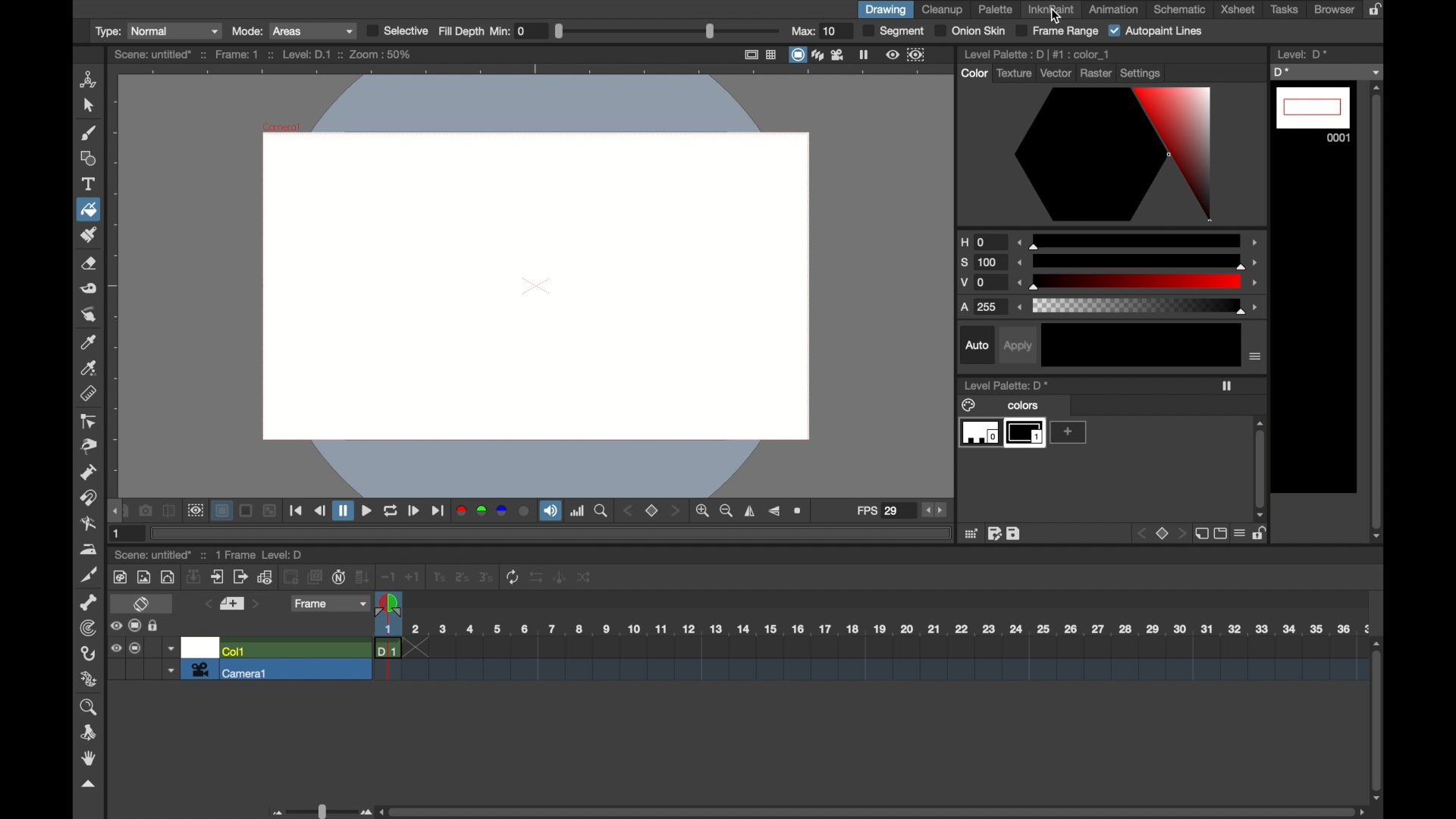 This screenshot has height=819, width=1456. Describe the element at coordinates (143, 577) in the screenshot. I see `image` at that location.